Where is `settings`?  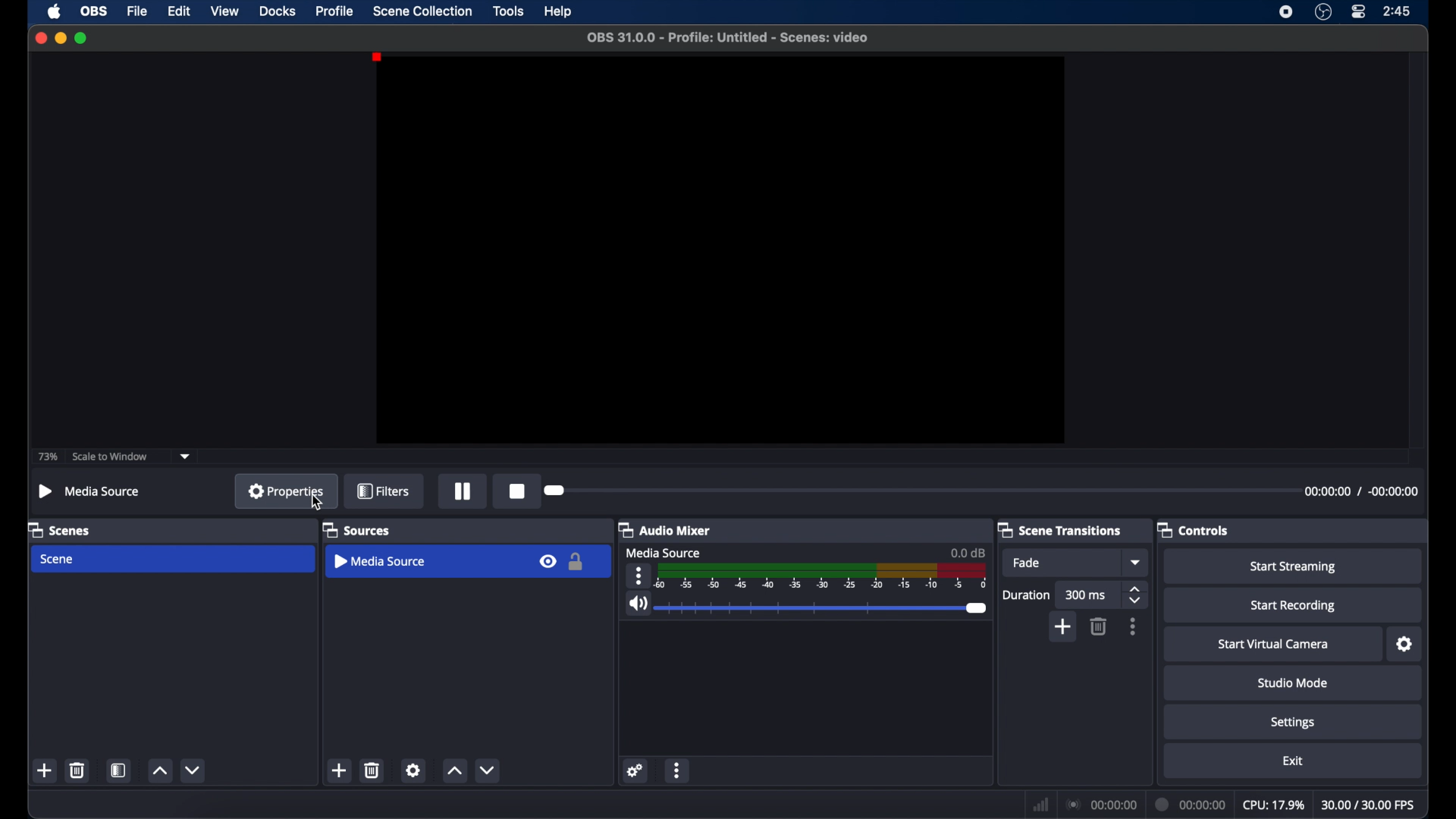
settings is located at coordinates (1293, 722).